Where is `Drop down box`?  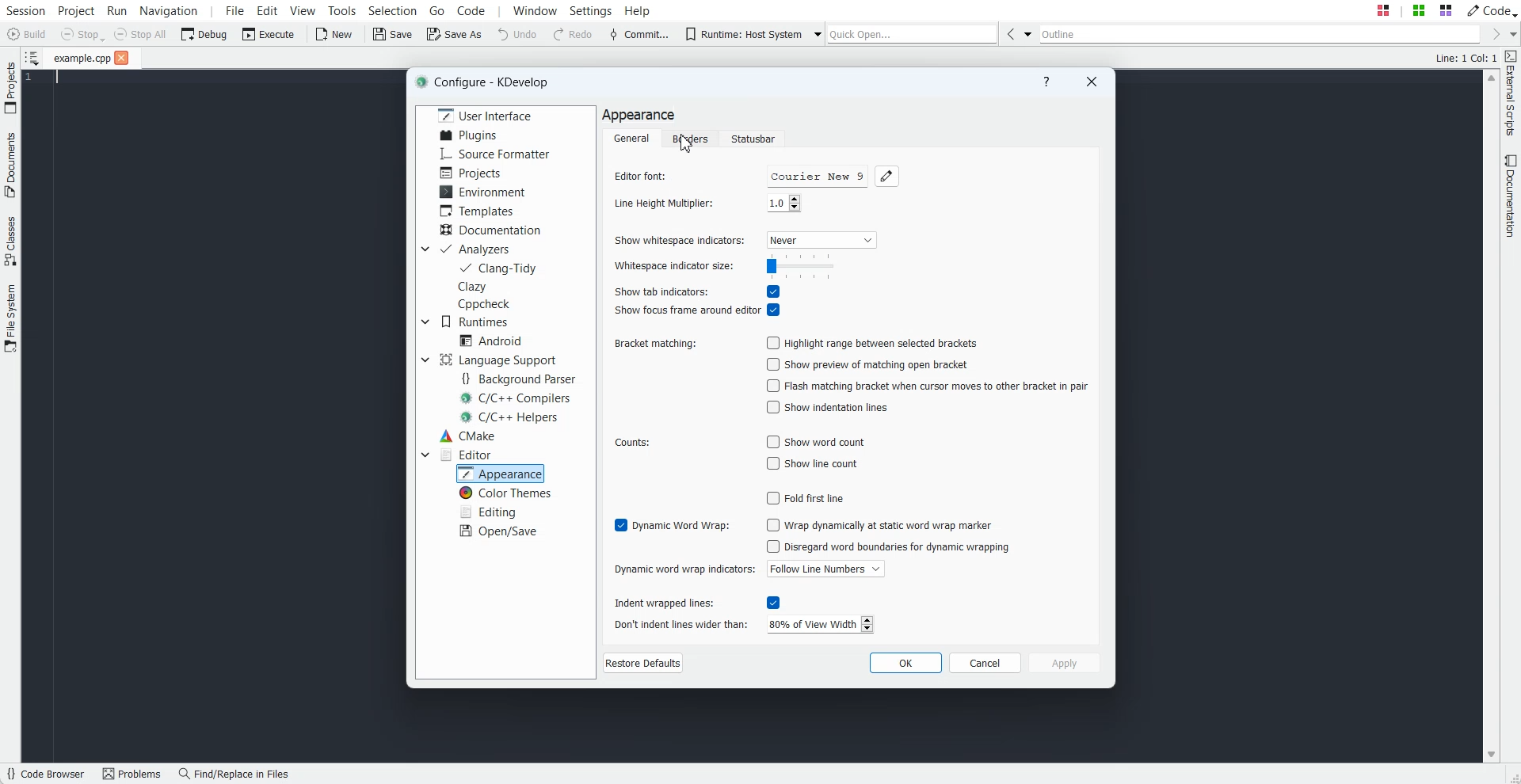 Drop down box is located at coordinates (814, 33).